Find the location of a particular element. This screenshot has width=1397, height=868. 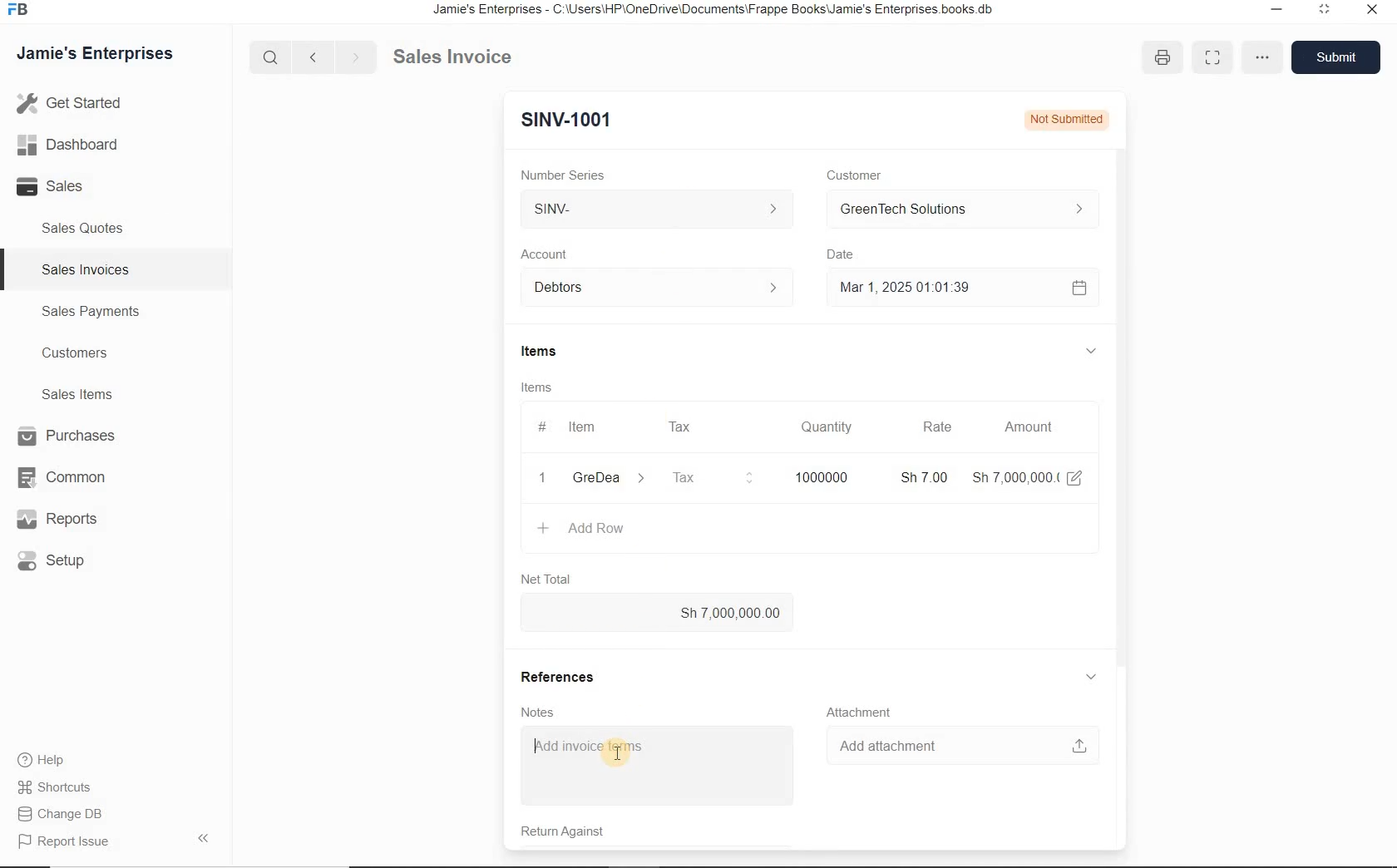

Debtors is located at coordinates (649, 288).